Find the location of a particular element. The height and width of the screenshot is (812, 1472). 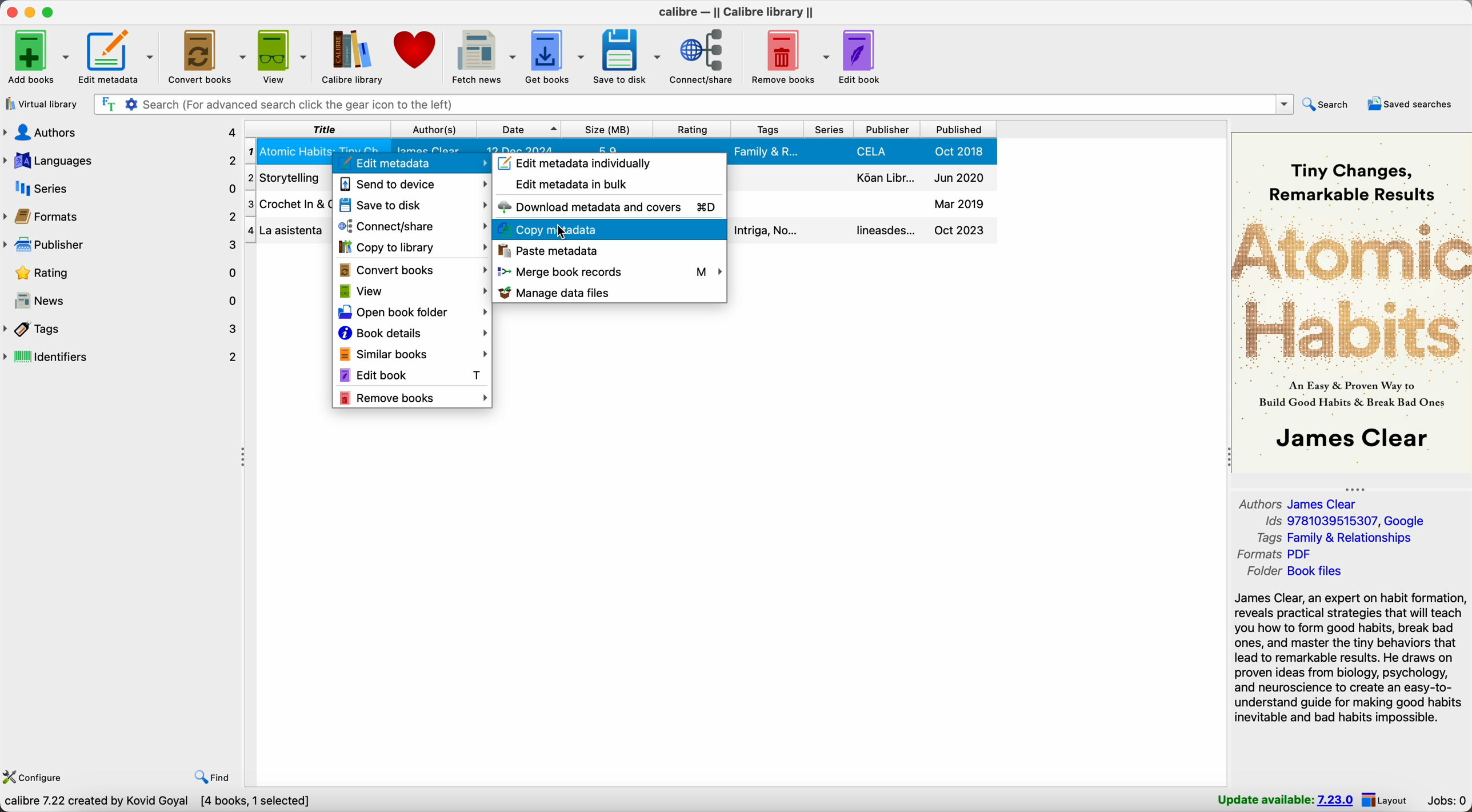

identifiers is located at coordinates (122, 358).